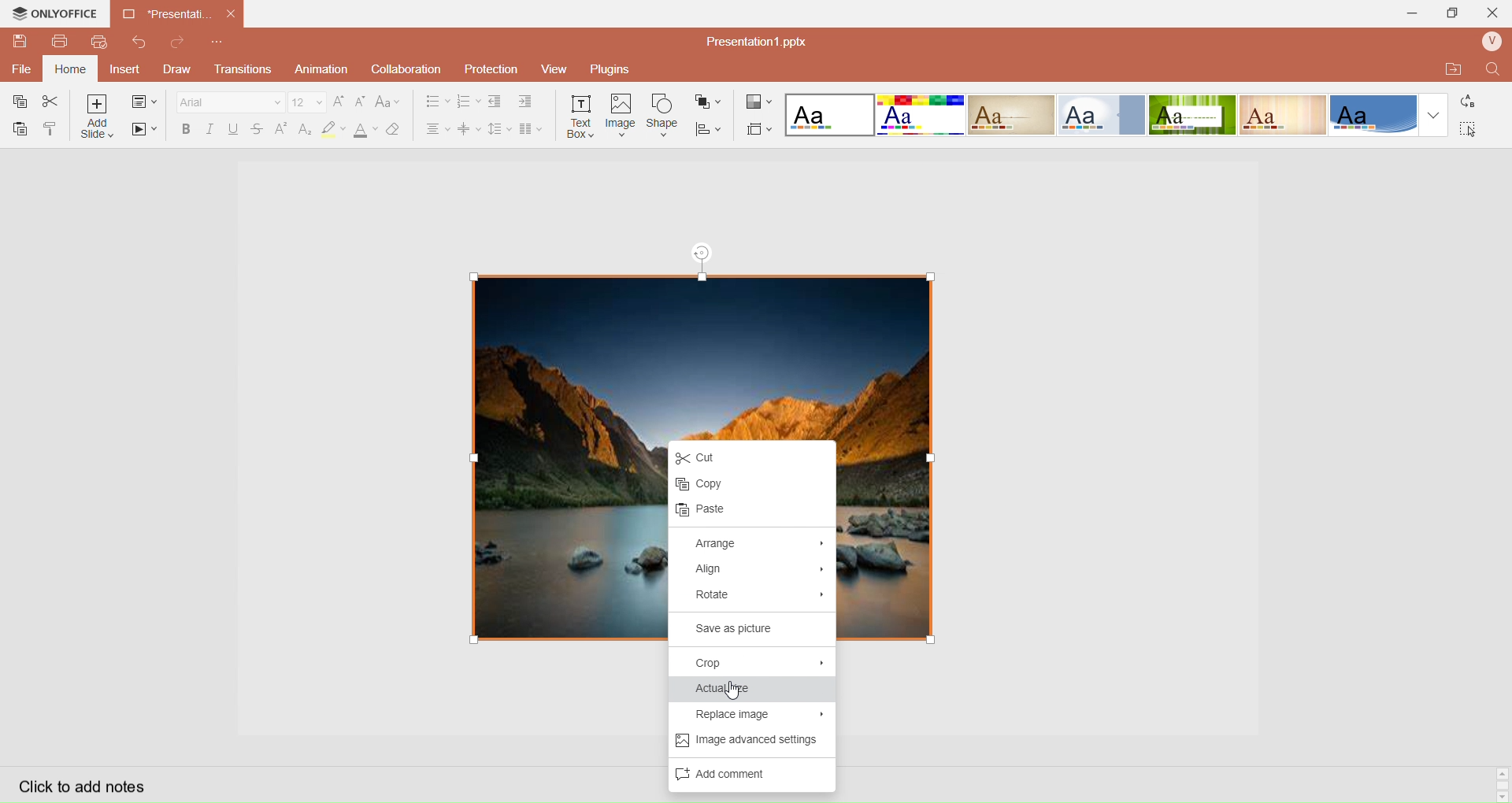  What do you see at coordinates (755, 568) in the screenshot?
I see `Align` at bounding box center [755, 568].